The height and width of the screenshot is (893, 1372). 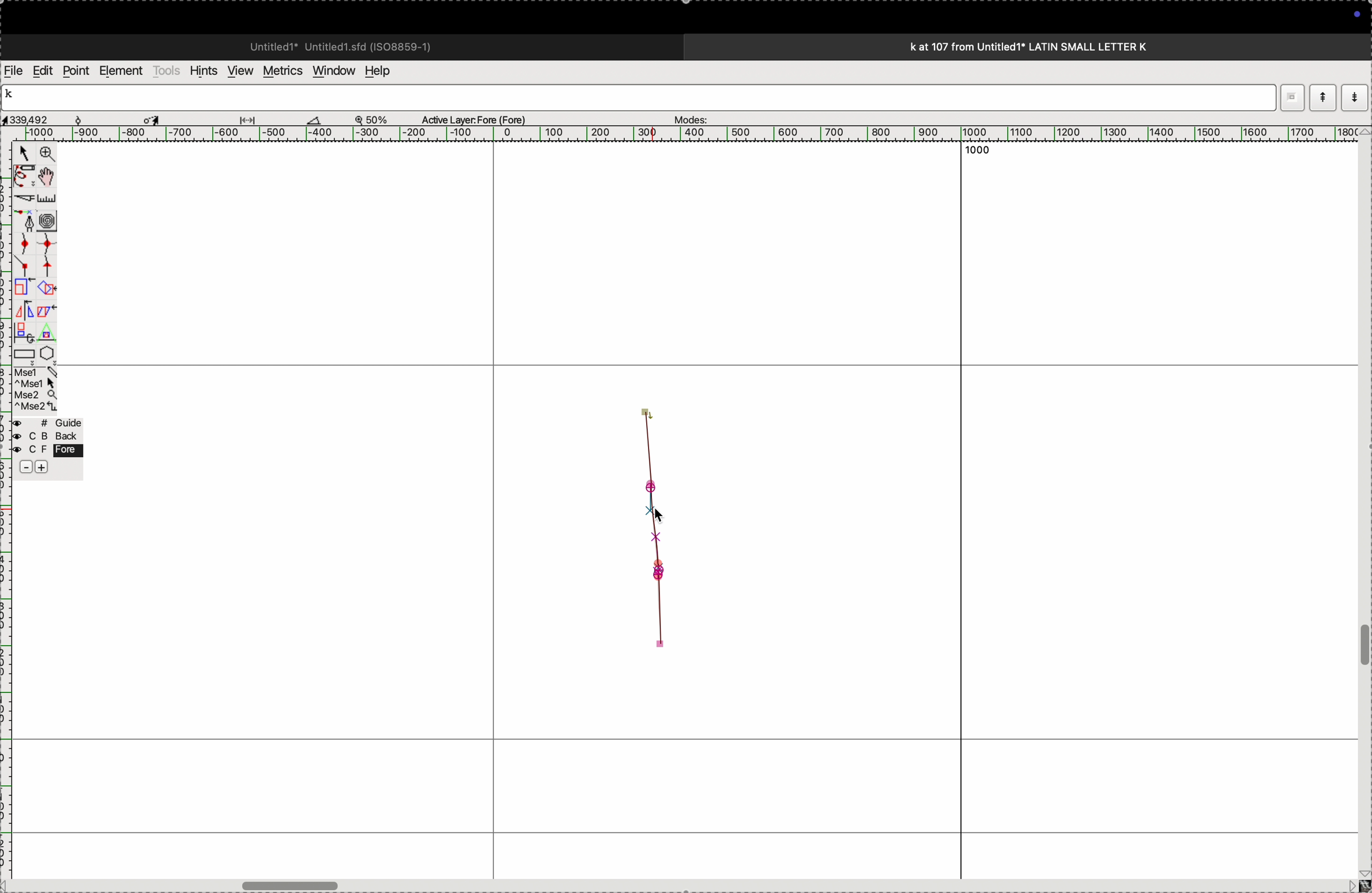 What do you see at coordinates (1322, 97) in the screenshot?
I see `modeup` at bounding box center [1322, 97].